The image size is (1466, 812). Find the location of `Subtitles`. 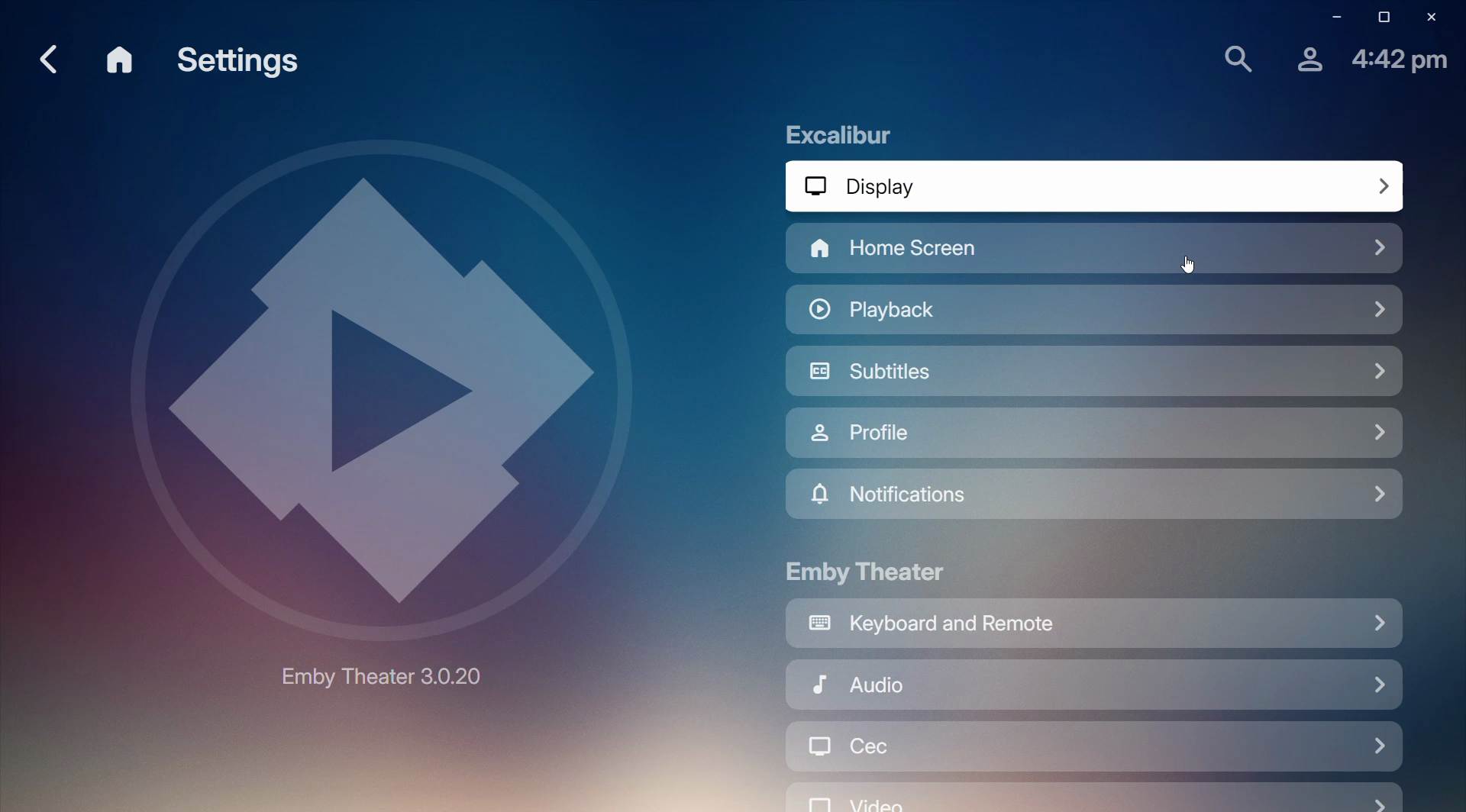

Subtitles is located at coordinates (1092, 372).